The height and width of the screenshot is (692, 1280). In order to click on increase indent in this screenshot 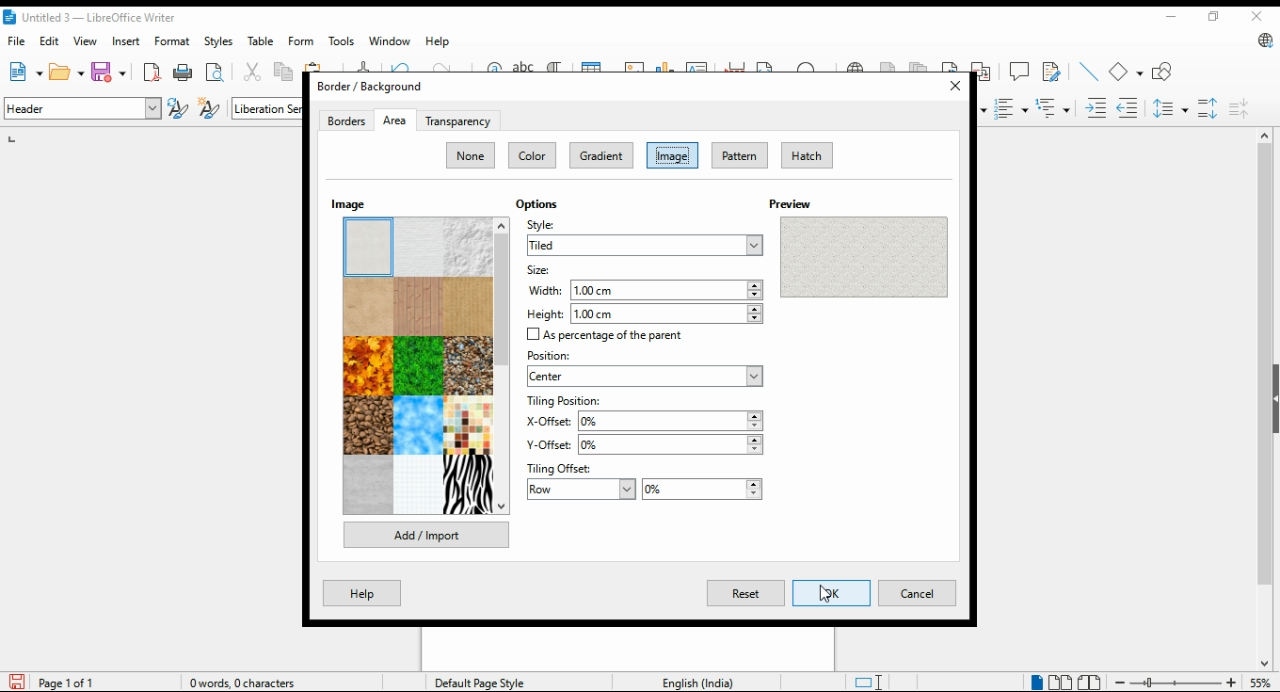, I will do `click(1097, 108)`.